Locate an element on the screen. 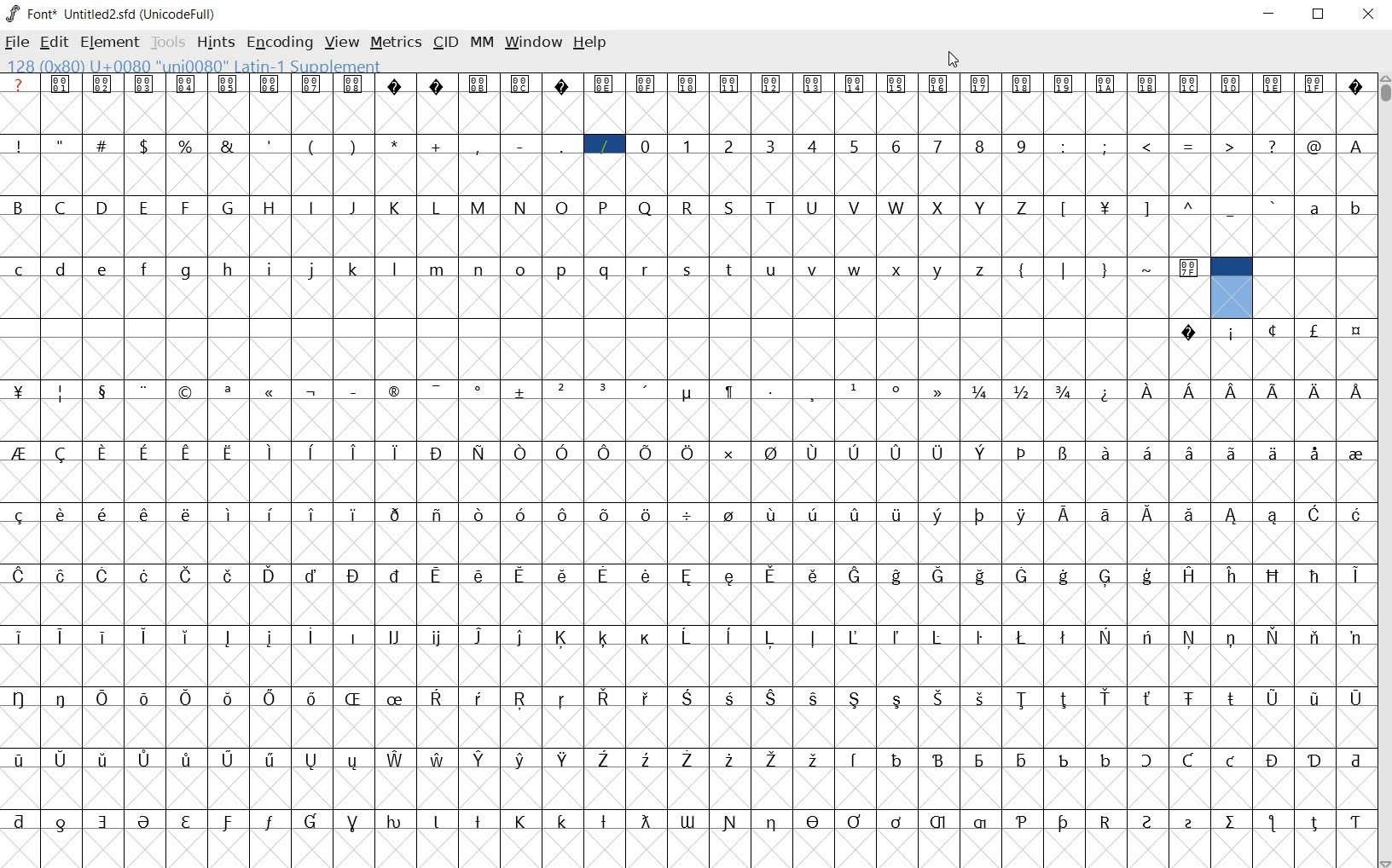 The image size is (1392, 868). Symbol is located at coordinates (105, 759).